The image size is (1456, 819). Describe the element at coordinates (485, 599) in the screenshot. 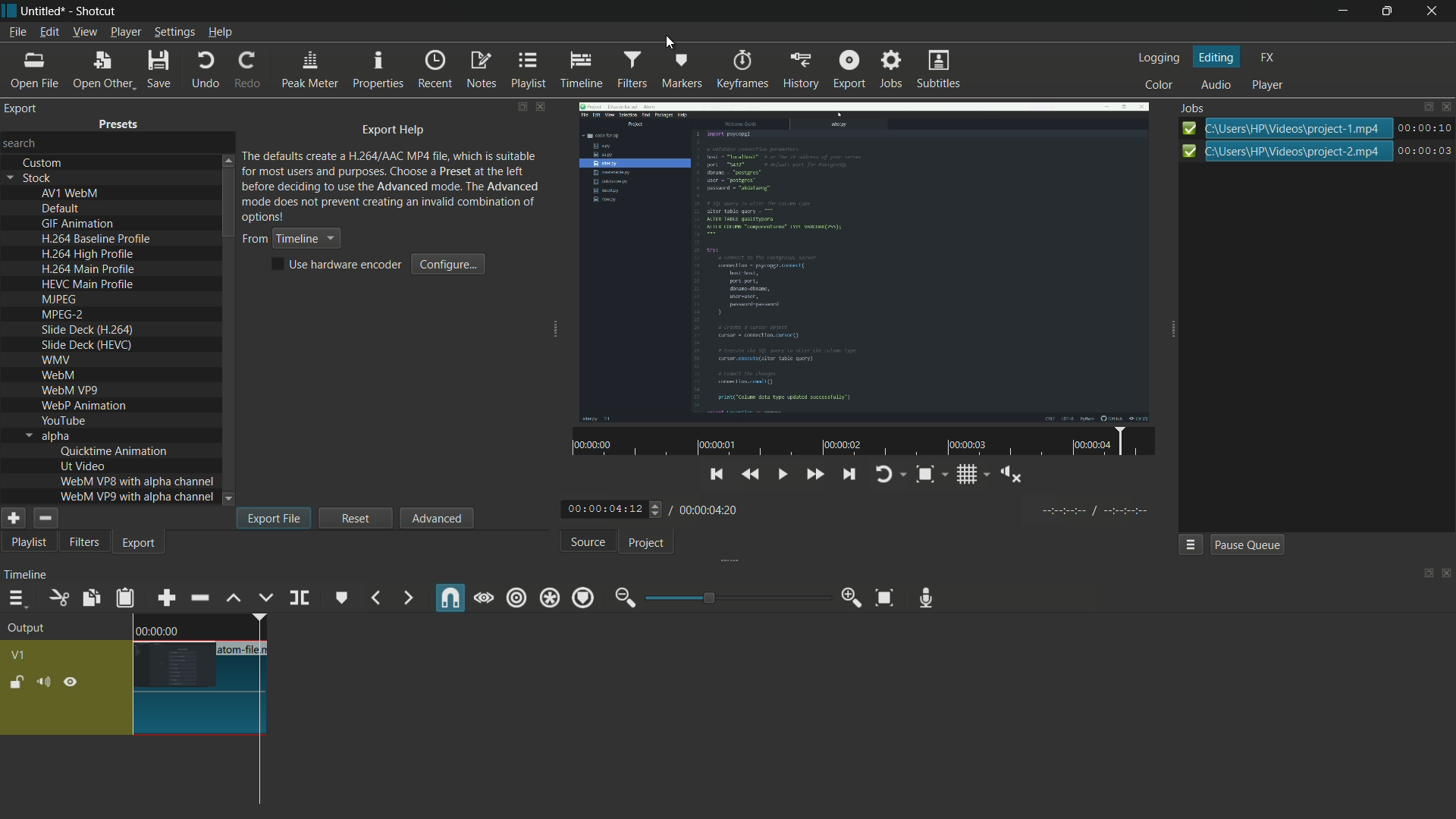

I see `scrub while dragging` at that location.